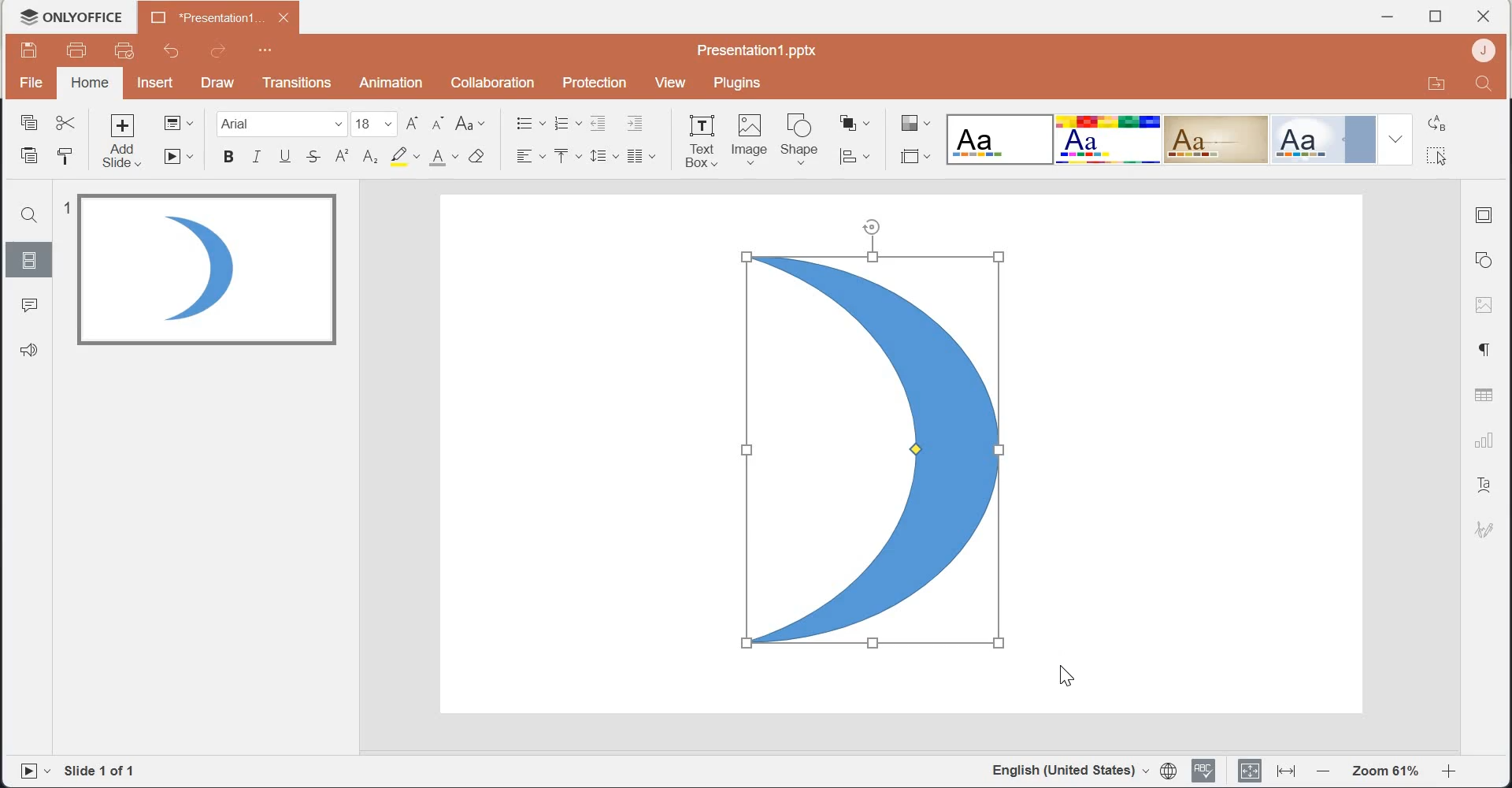 The image size is (1512, 788). What do you see at coordinates (29, 155) in the screenshot?
I see `Paste` at bounding box center [29, 155].